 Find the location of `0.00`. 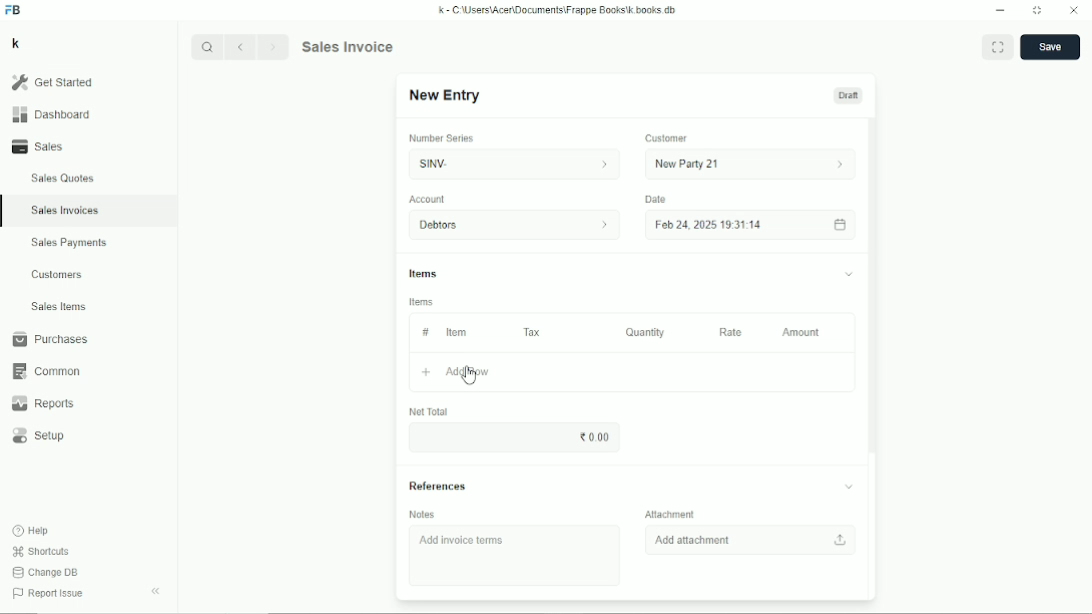

0.00 is located at coordinates (596, 436).